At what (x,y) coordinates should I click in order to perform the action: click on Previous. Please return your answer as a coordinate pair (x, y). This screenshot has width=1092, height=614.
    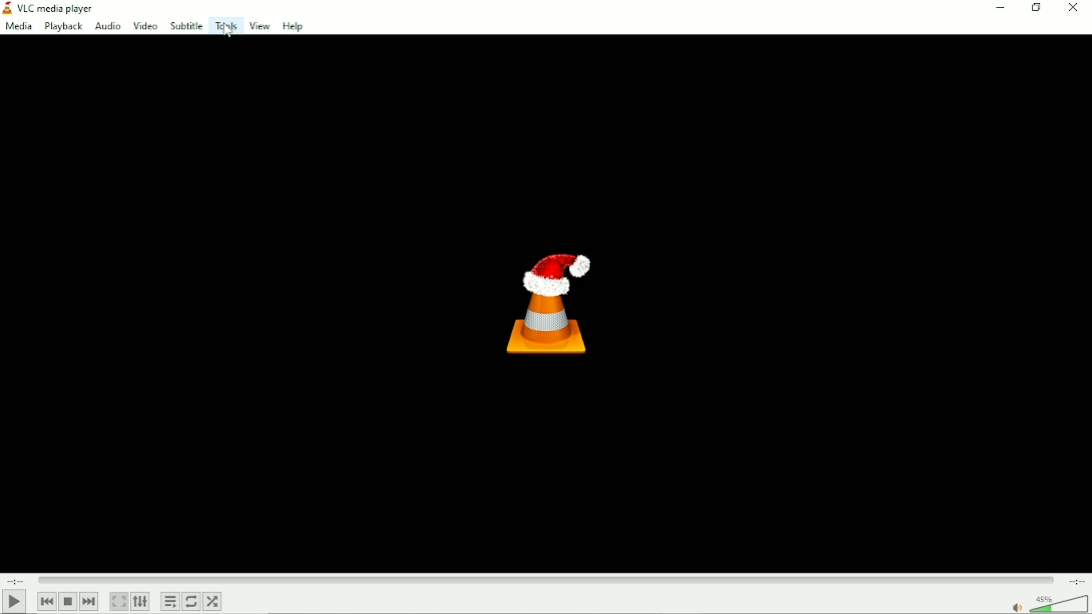
    Looking at the image, I should click on (46, 601).